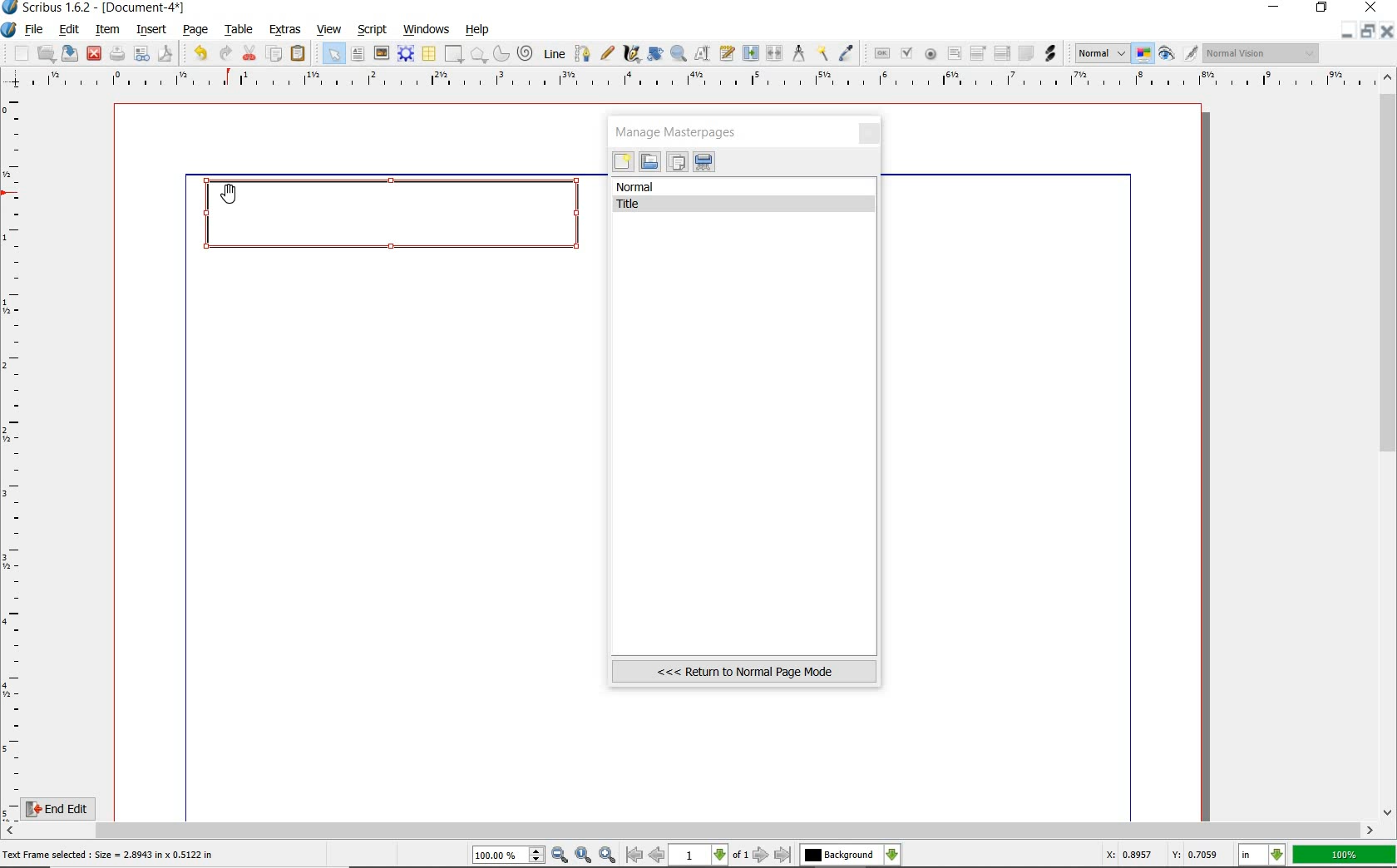  I want to click on in, so click(1262, 856).